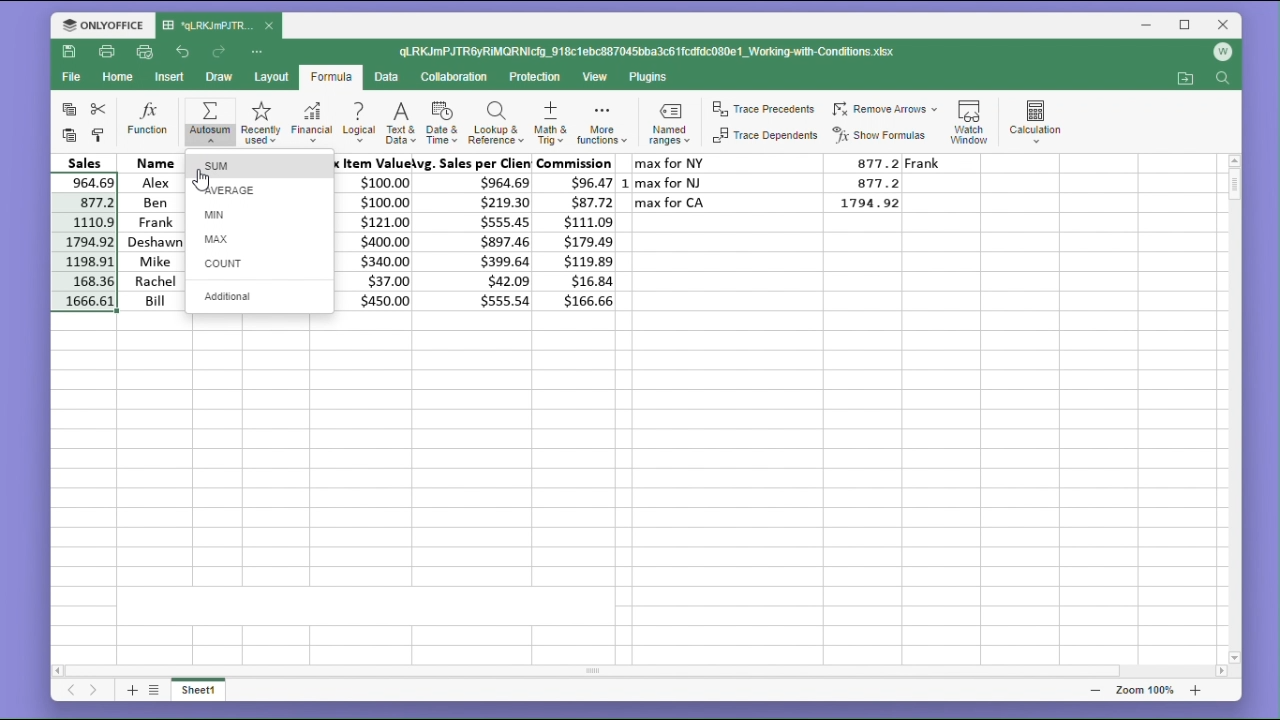 The width and height of the screenshot is (1280, 720). What do you see at coordinates (637, 485) in the screenshot?
I see `empty cells` at bounding box center [637, 485].